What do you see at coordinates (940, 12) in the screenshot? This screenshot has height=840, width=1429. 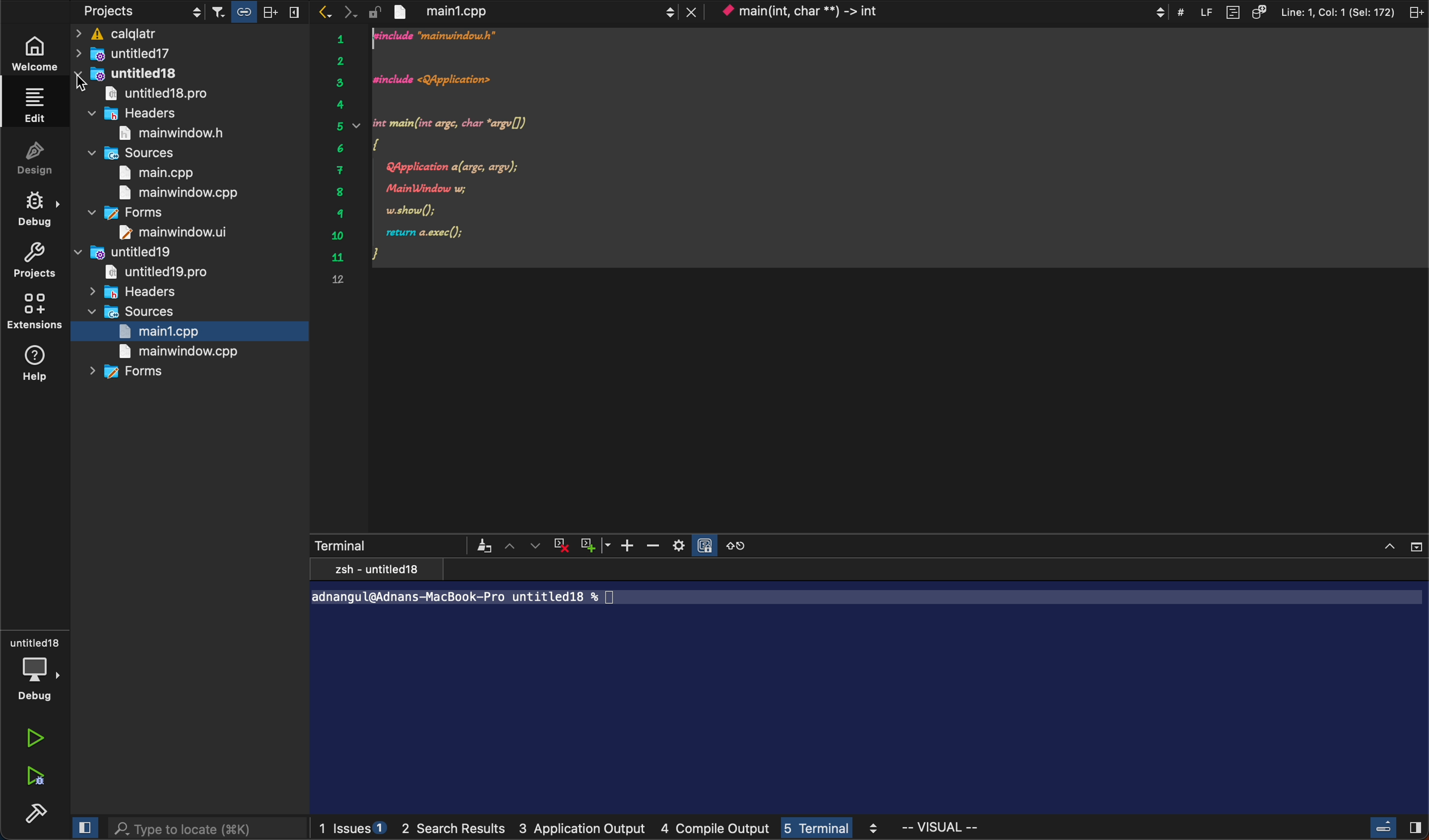 I see `context` at bounding box center [940, 12].